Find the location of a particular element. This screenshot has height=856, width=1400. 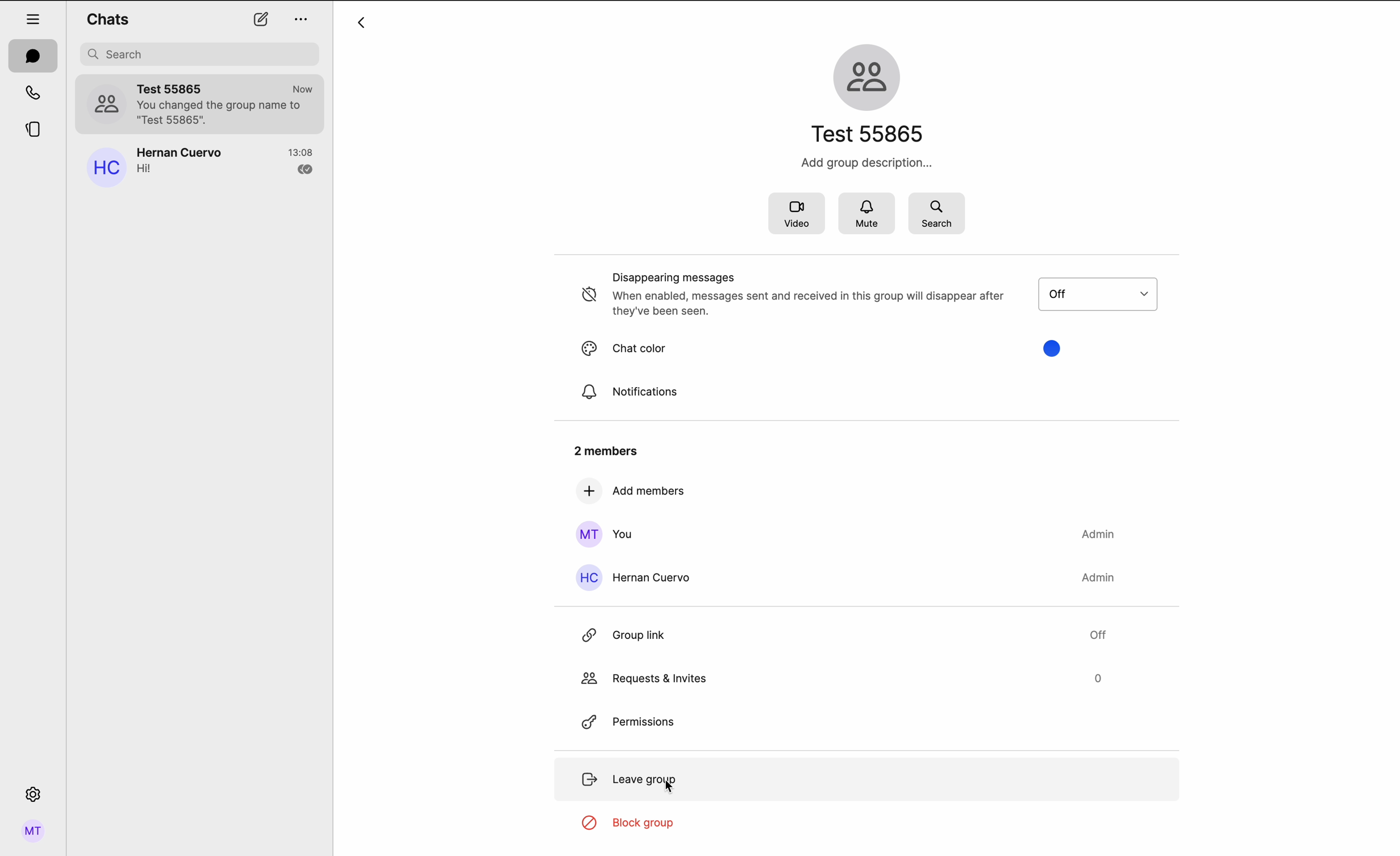

Hernan Cuervo's chat is located at coordinates (227, 165).